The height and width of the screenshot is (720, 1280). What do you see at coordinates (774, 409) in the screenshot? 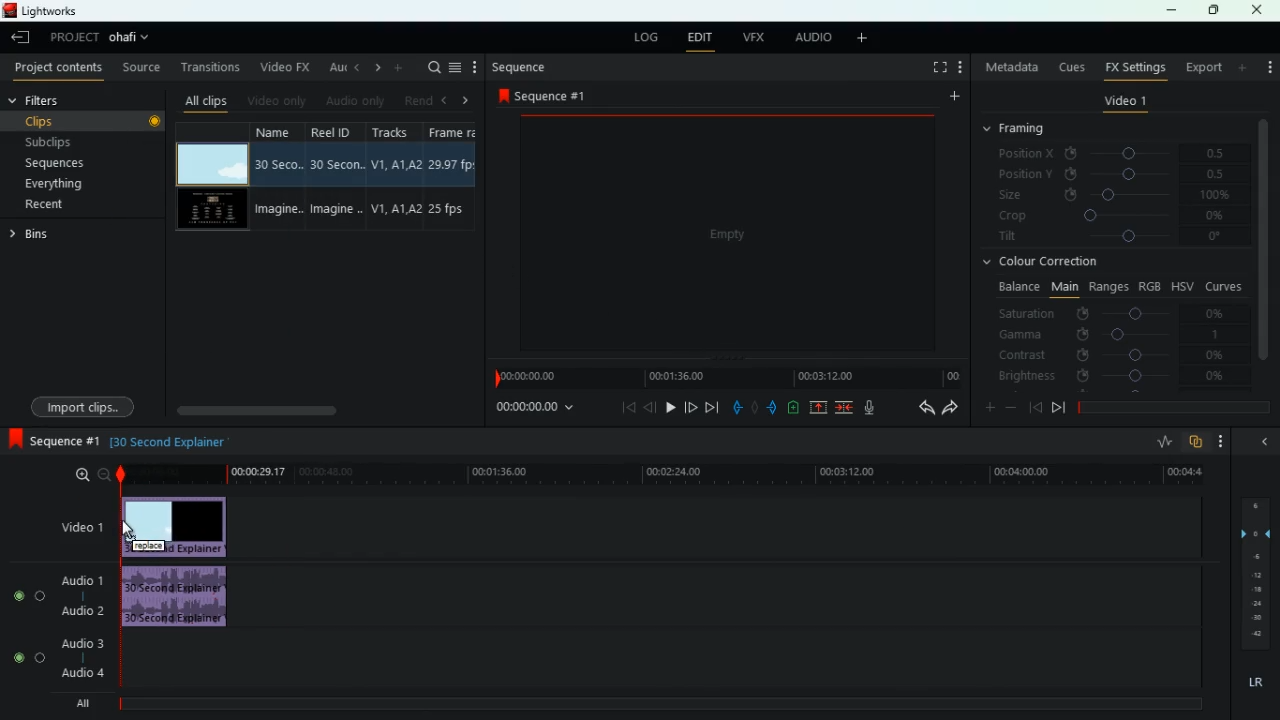
I see `push` at bounding box center [774, 409].